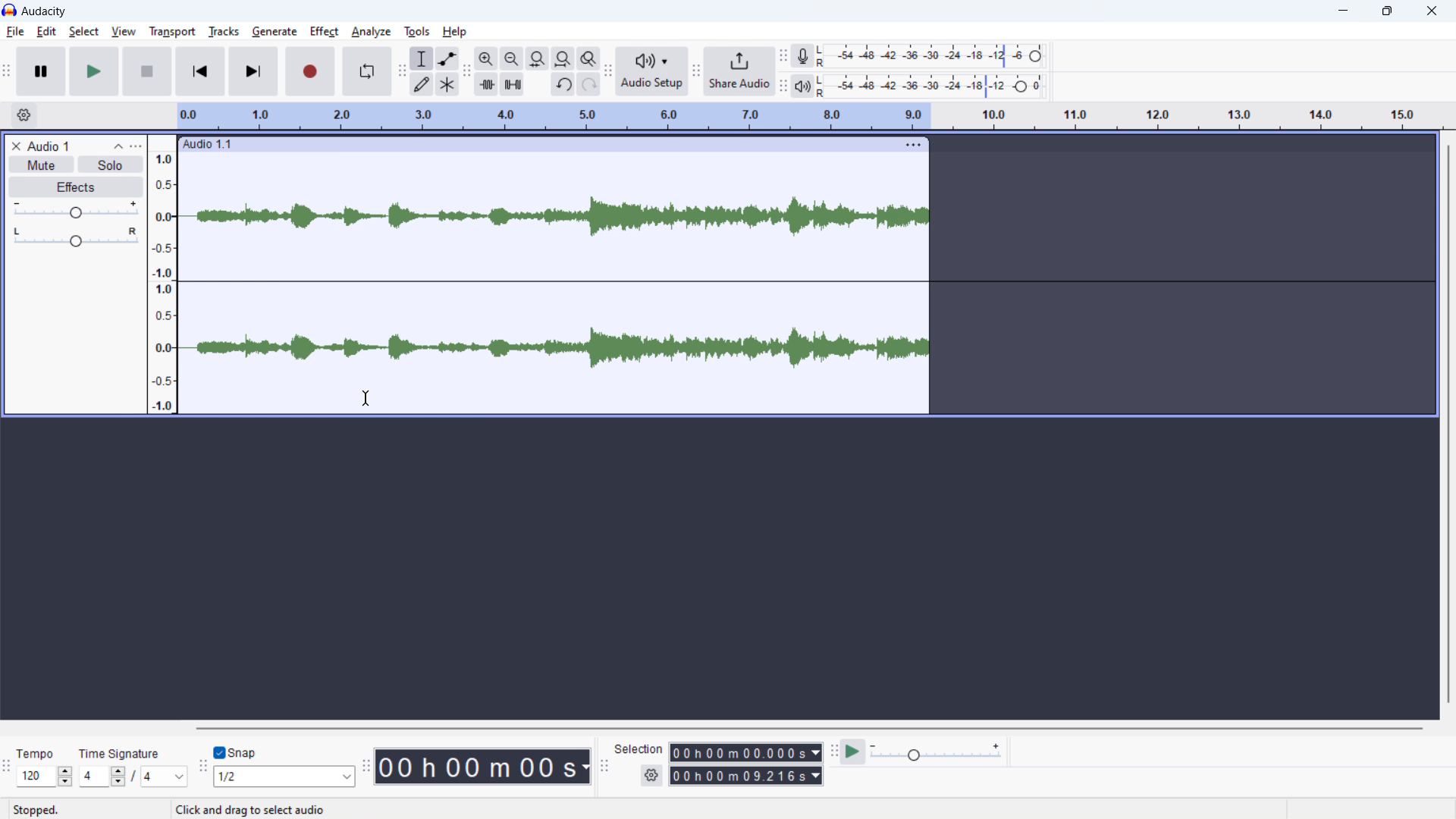  I want to click on playback meter toolbar, so click(783, 86).